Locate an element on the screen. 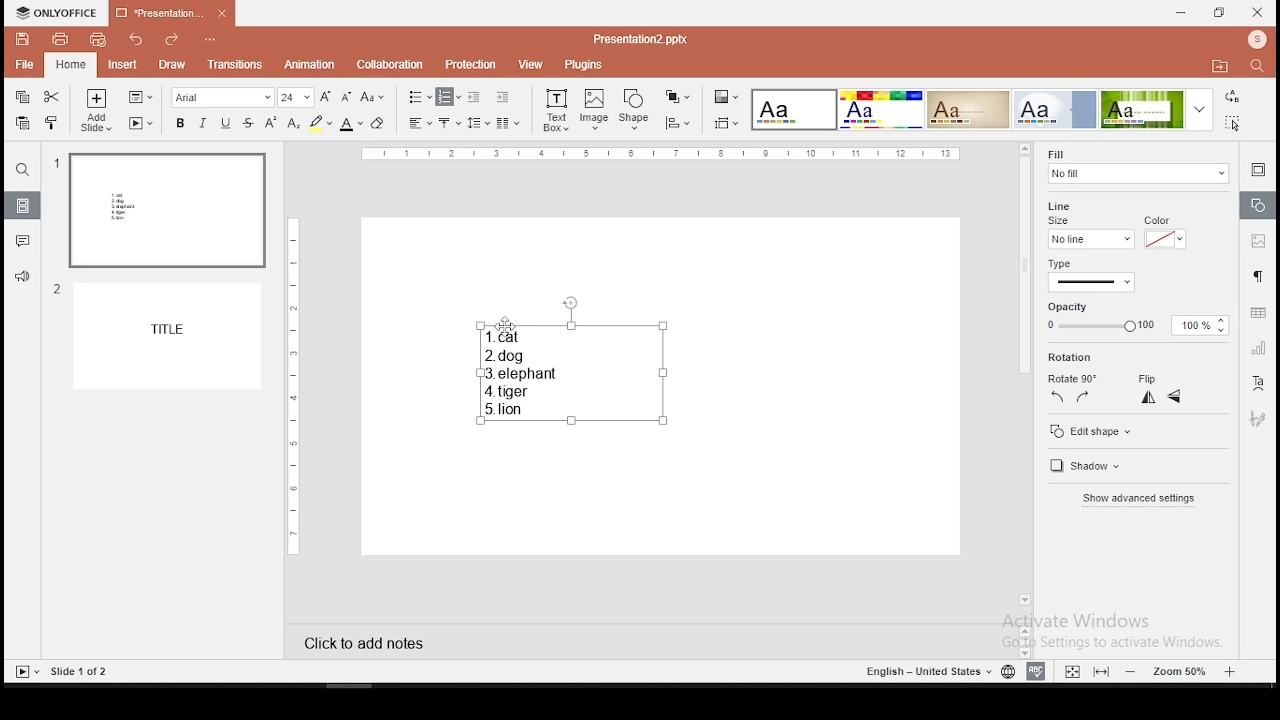  fill settings is located at coordinates (1135, 164).